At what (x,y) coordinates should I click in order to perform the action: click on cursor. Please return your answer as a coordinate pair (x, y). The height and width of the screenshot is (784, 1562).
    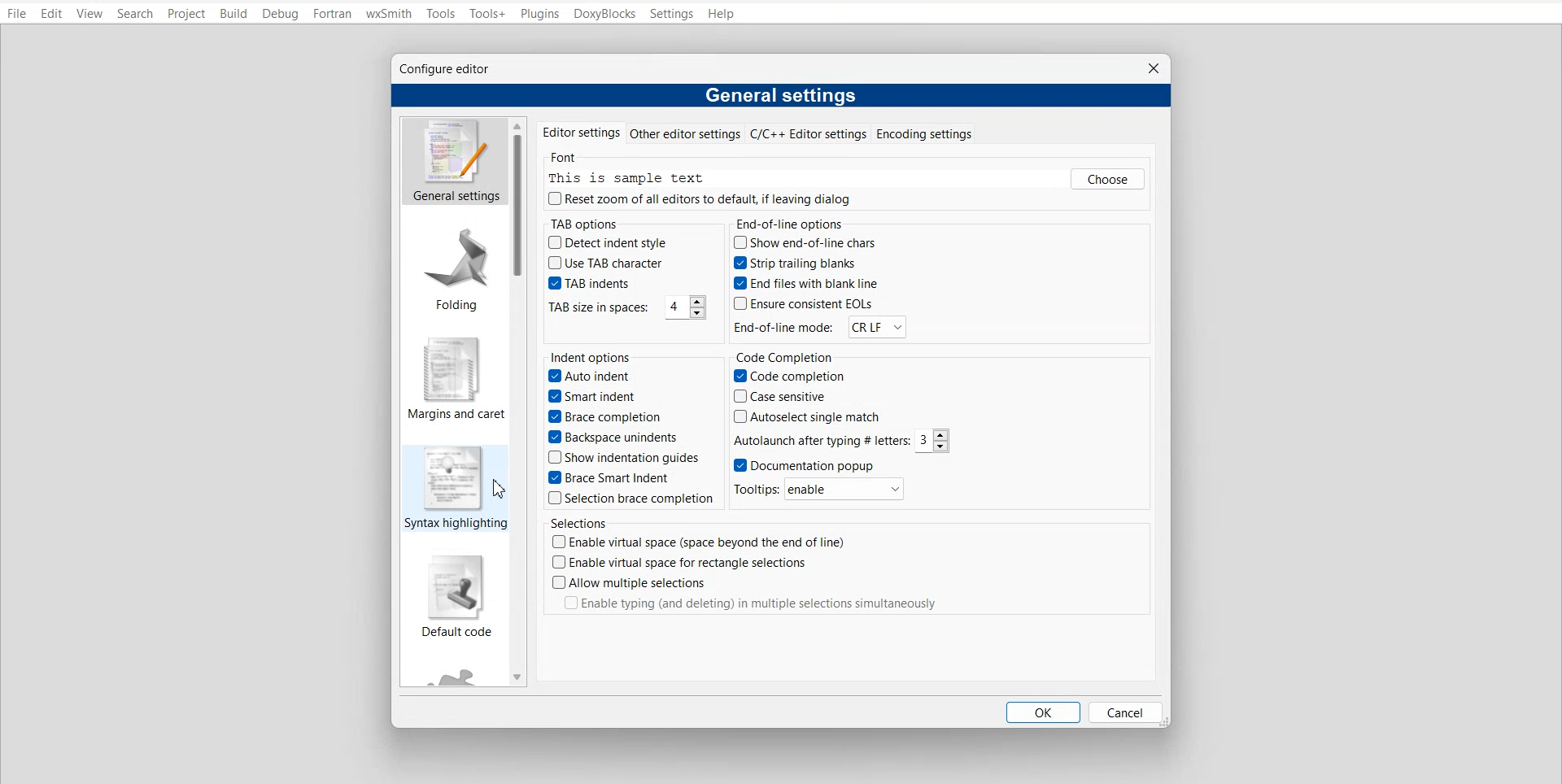
    Looking at the image, I should click on (499, 489).